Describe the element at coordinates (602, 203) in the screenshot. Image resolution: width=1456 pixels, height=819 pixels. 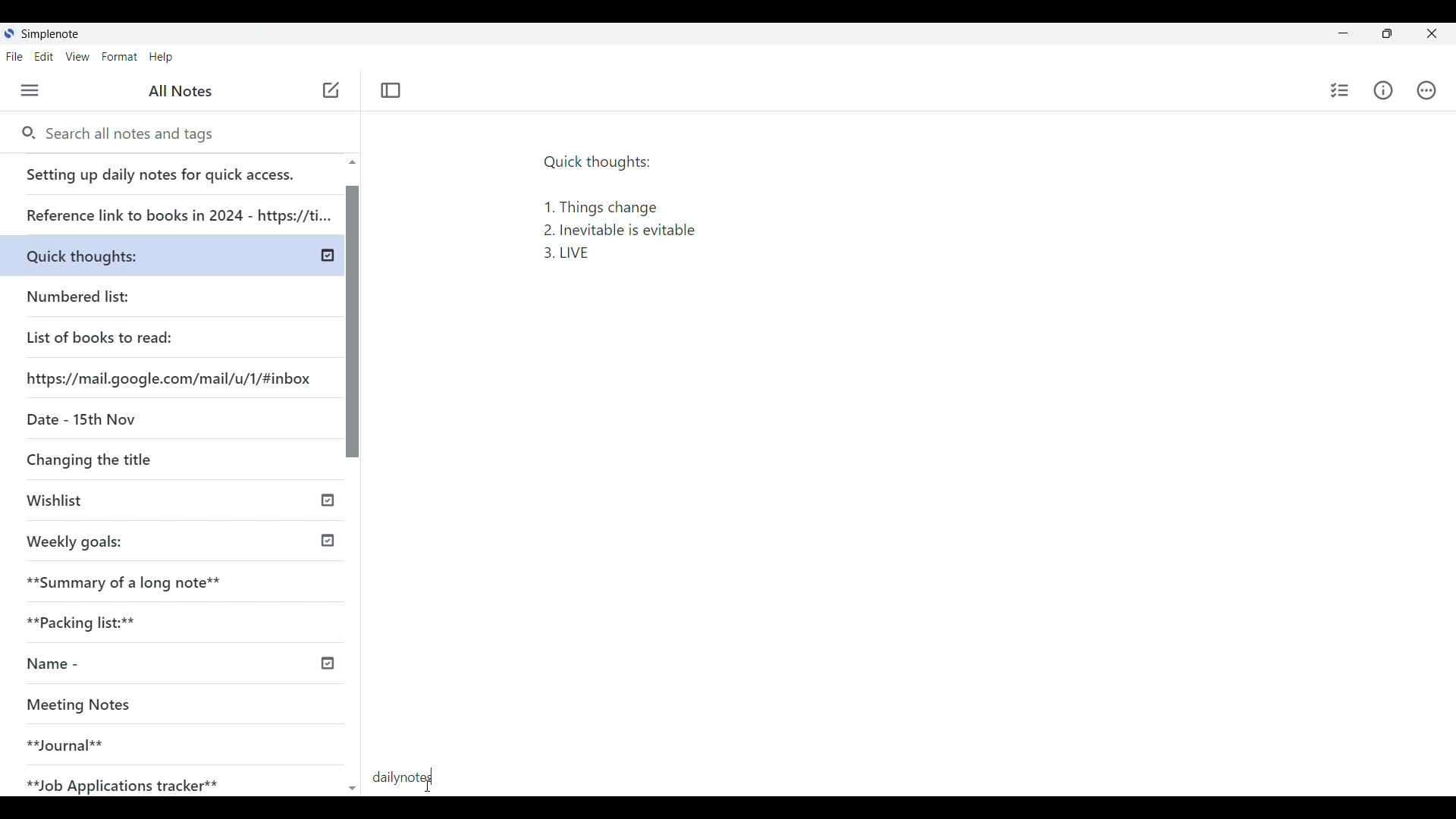
I see `Quick thoughts:

1. Things change

2. Inevitable is evitable
3. LIVE` at that location.